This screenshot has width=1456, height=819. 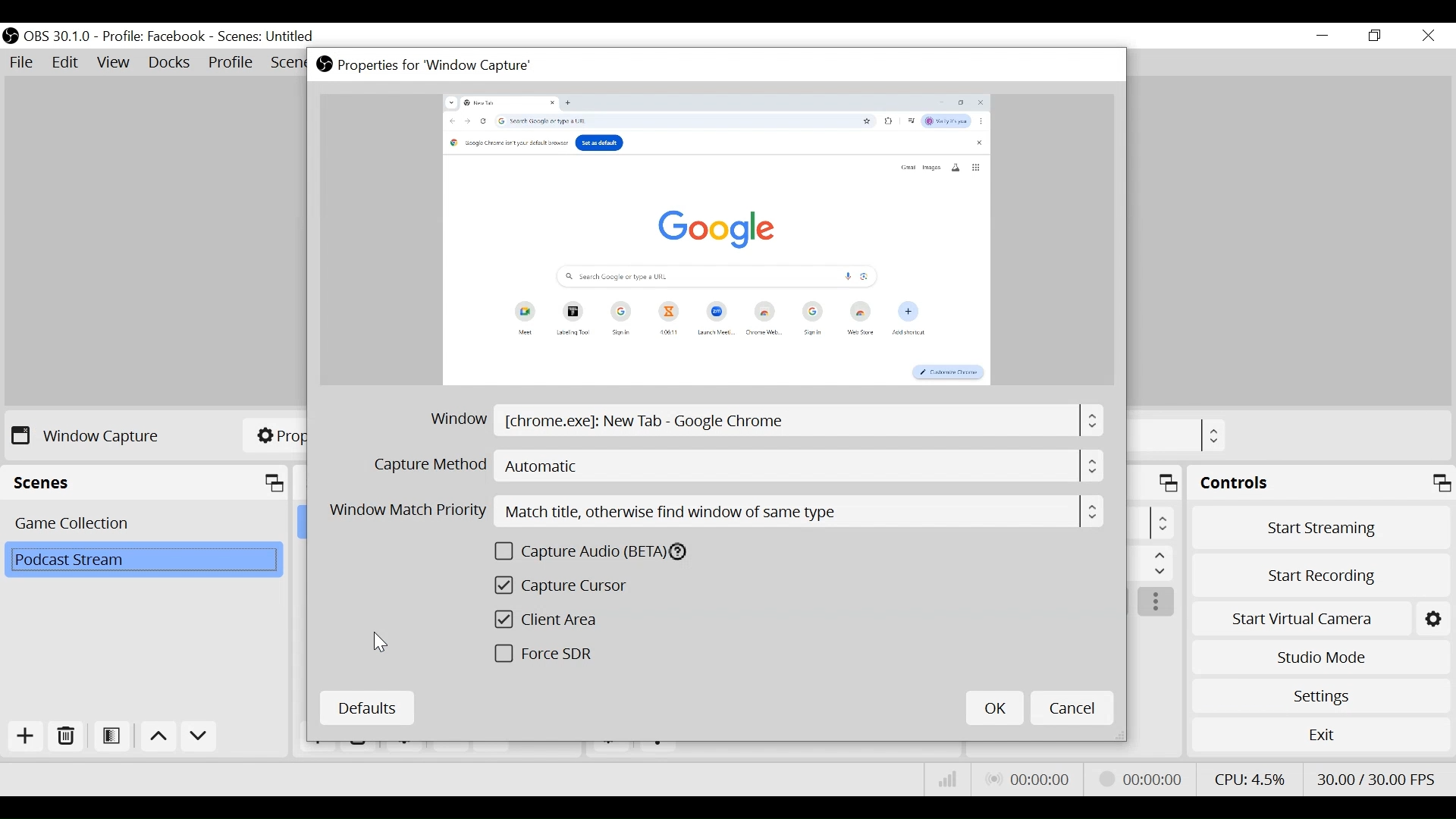 What do you see at coordinates (143, 524) in the screenshot?
I see `Scene` at bounding box center [143, 524].